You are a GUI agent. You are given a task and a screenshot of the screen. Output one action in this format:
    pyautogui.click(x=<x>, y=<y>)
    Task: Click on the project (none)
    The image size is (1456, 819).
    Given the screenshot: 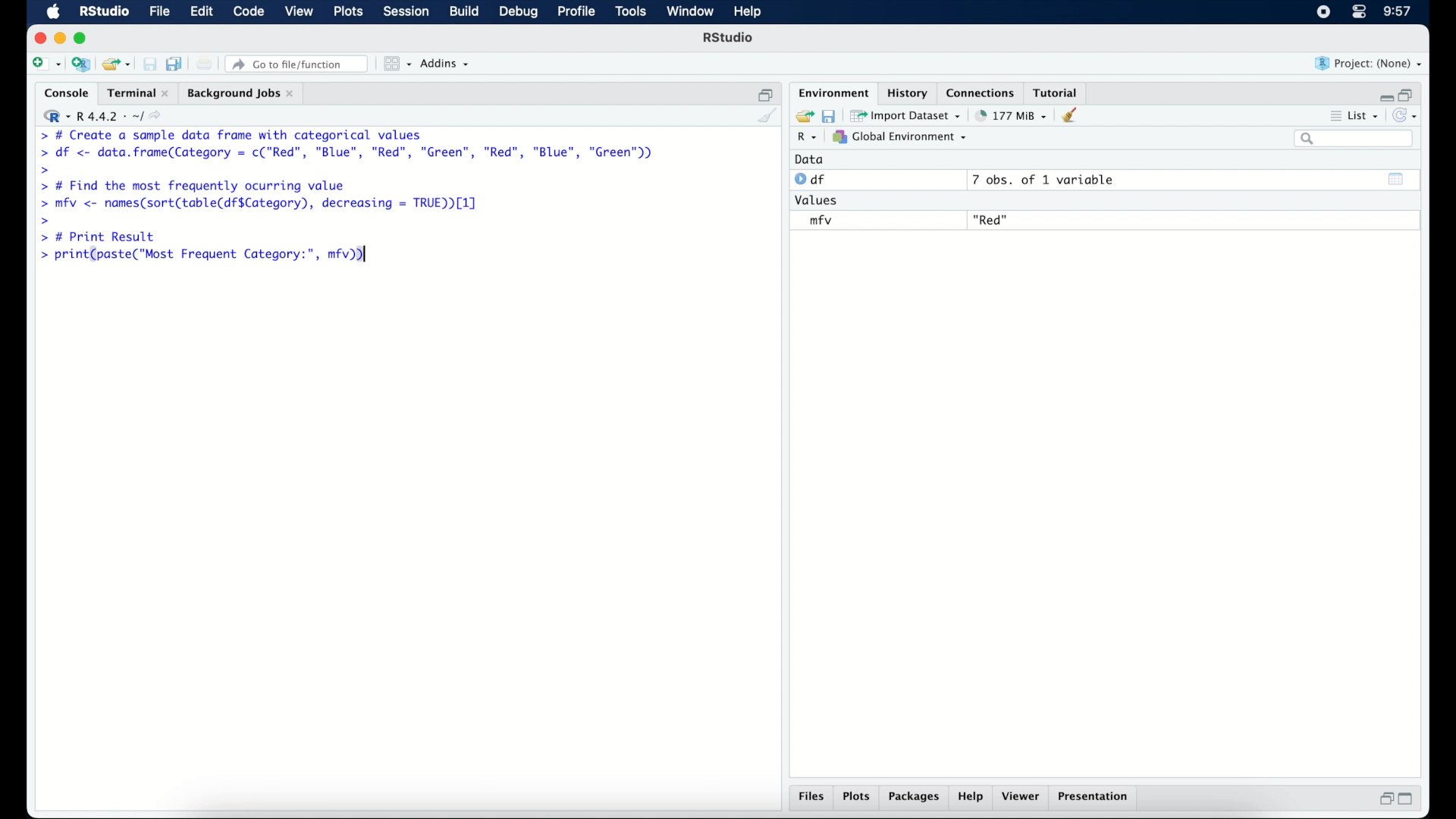 What is the action you would take?
    pyautogui.click(x=1369, y=63)
    